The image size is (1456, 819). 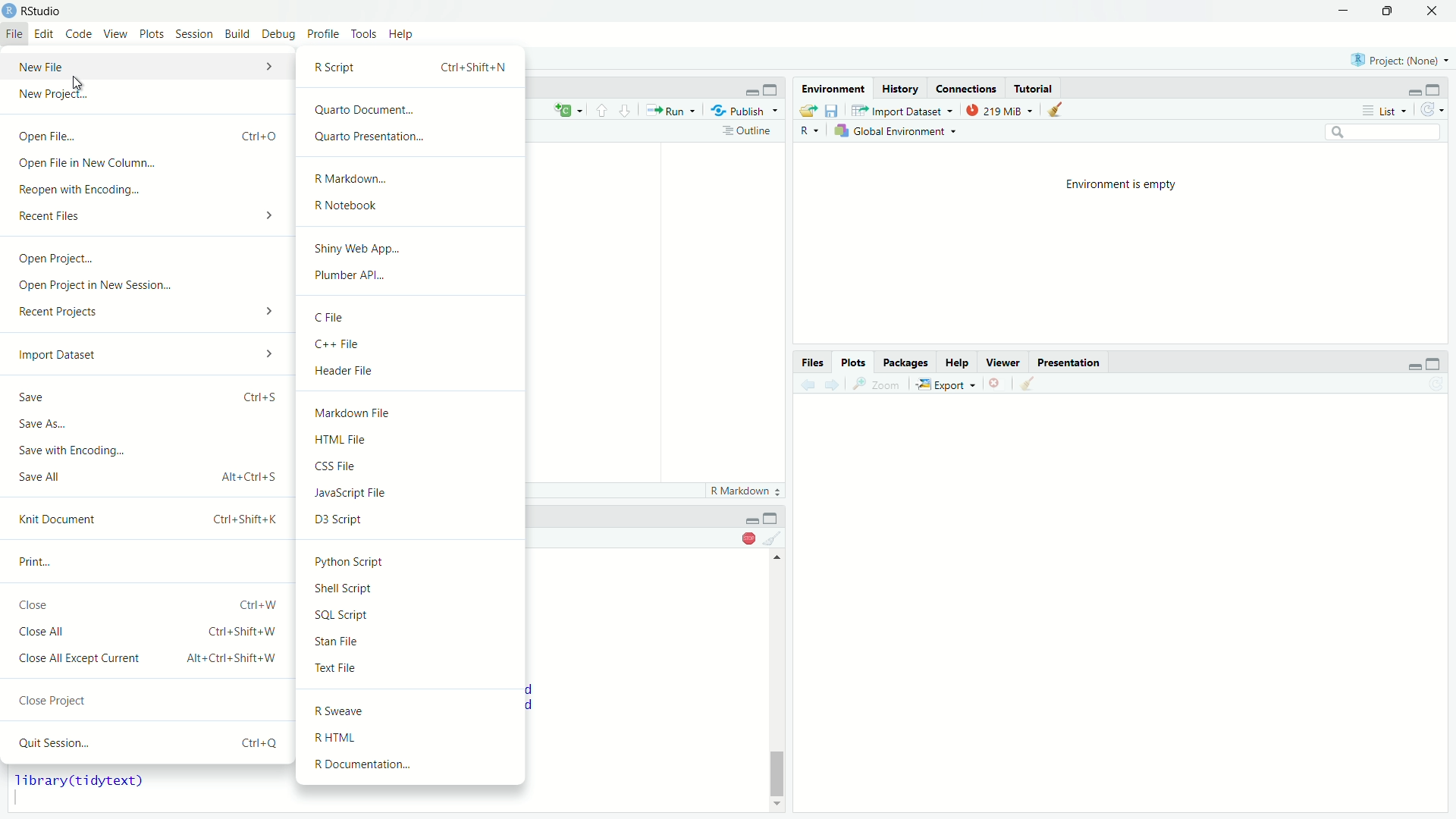 I want to click on refresh the list of objects, so click(x=1431, y=108).